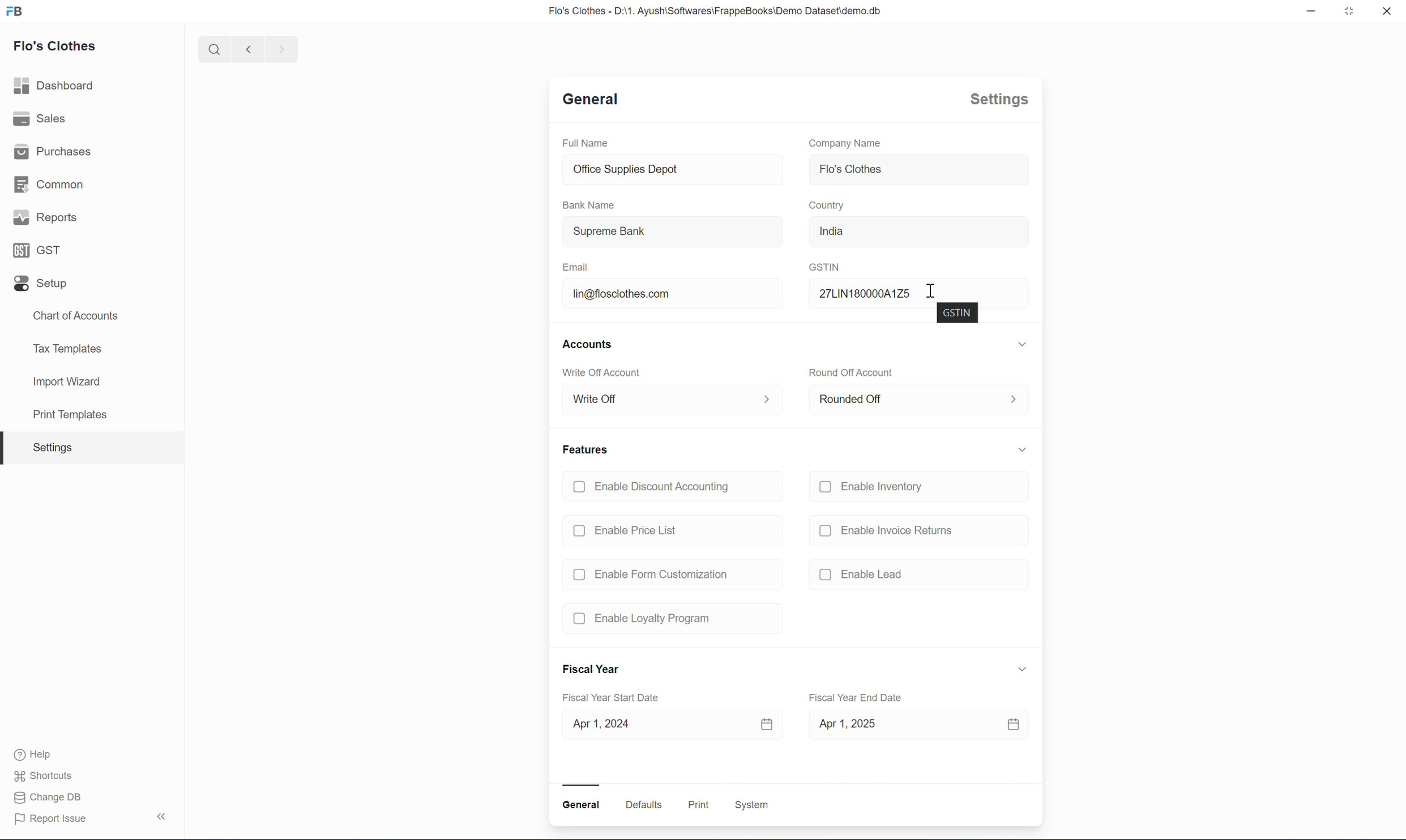 The image size is (1406, 840). I want to click on Enable Loyalty Program, so click(643, 619).